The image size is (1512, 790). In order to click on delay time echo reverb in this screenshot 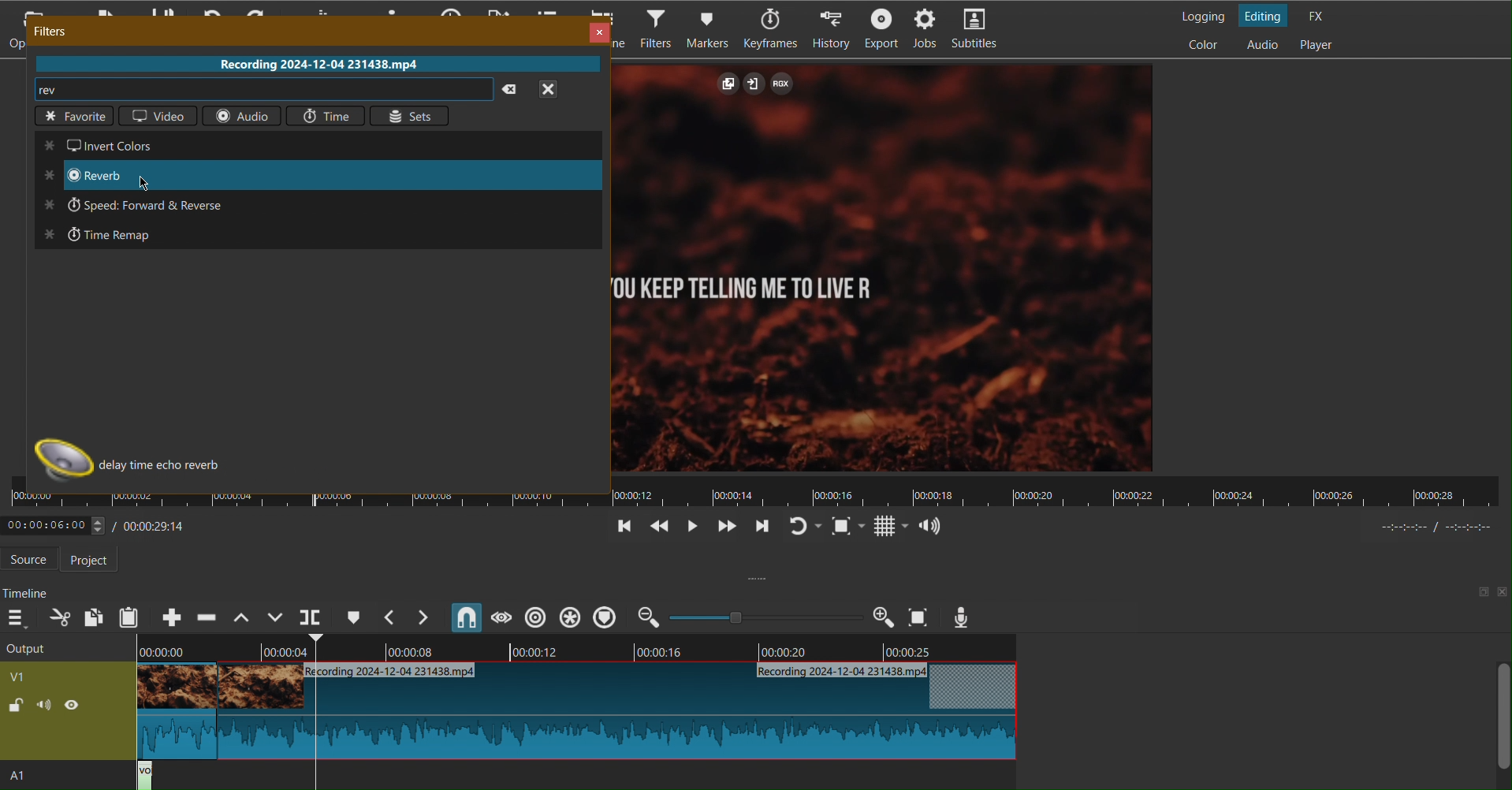, I will do `click(169, 468)`.